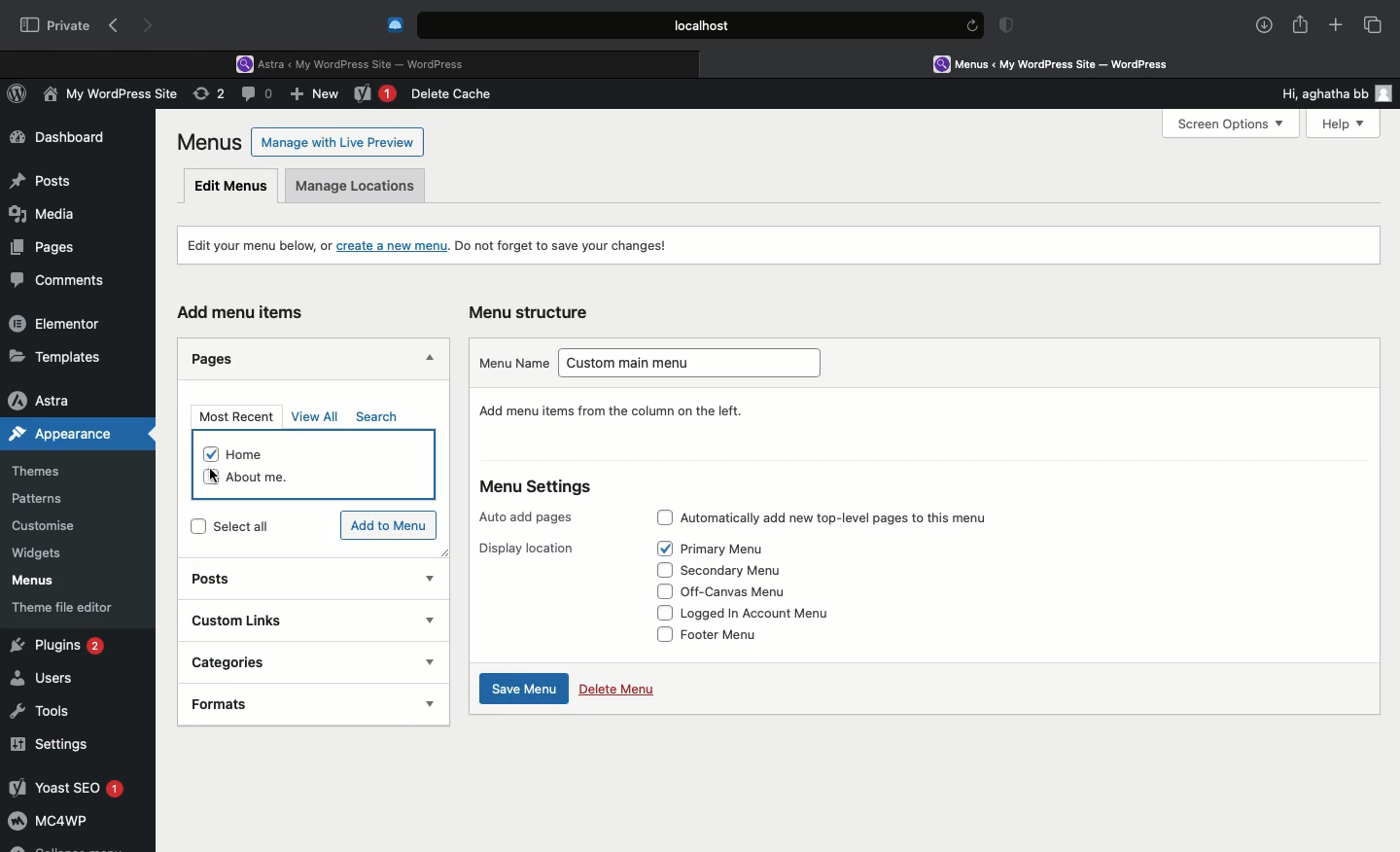  Describe the element at coordinates (209, 453) in the screenshot. I see `checkbox` at that location.